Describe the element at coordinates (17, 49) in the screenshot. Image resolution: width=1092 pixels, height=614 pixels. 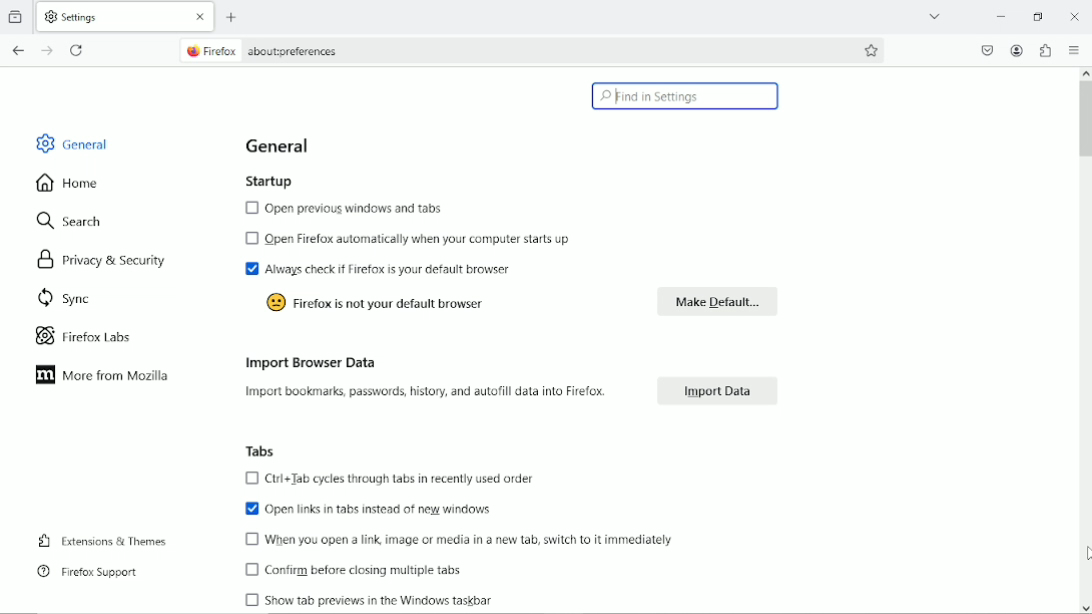
I see `go back` at that location.